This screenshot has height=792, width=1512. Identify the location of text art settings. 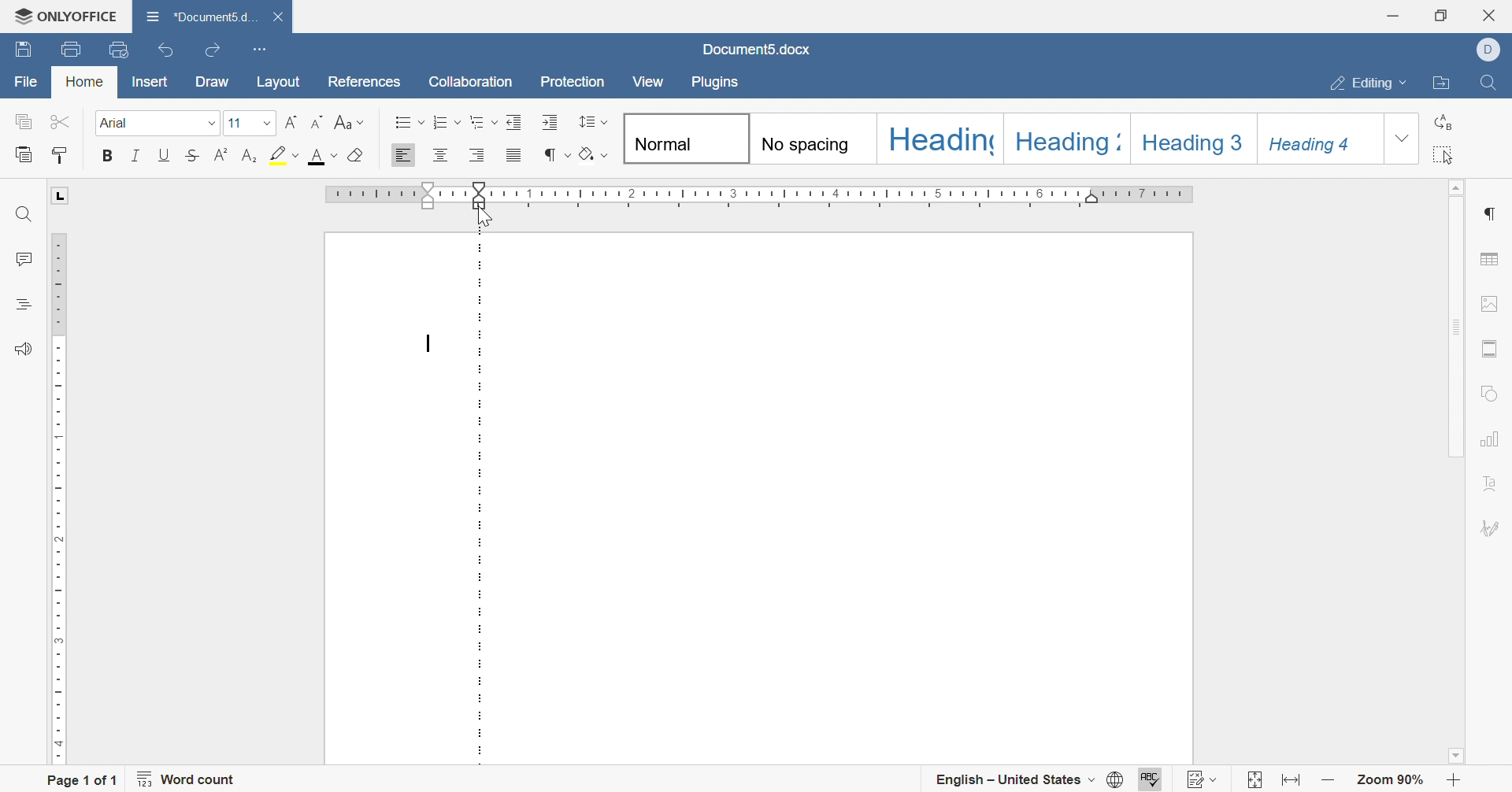
(1497, 483).